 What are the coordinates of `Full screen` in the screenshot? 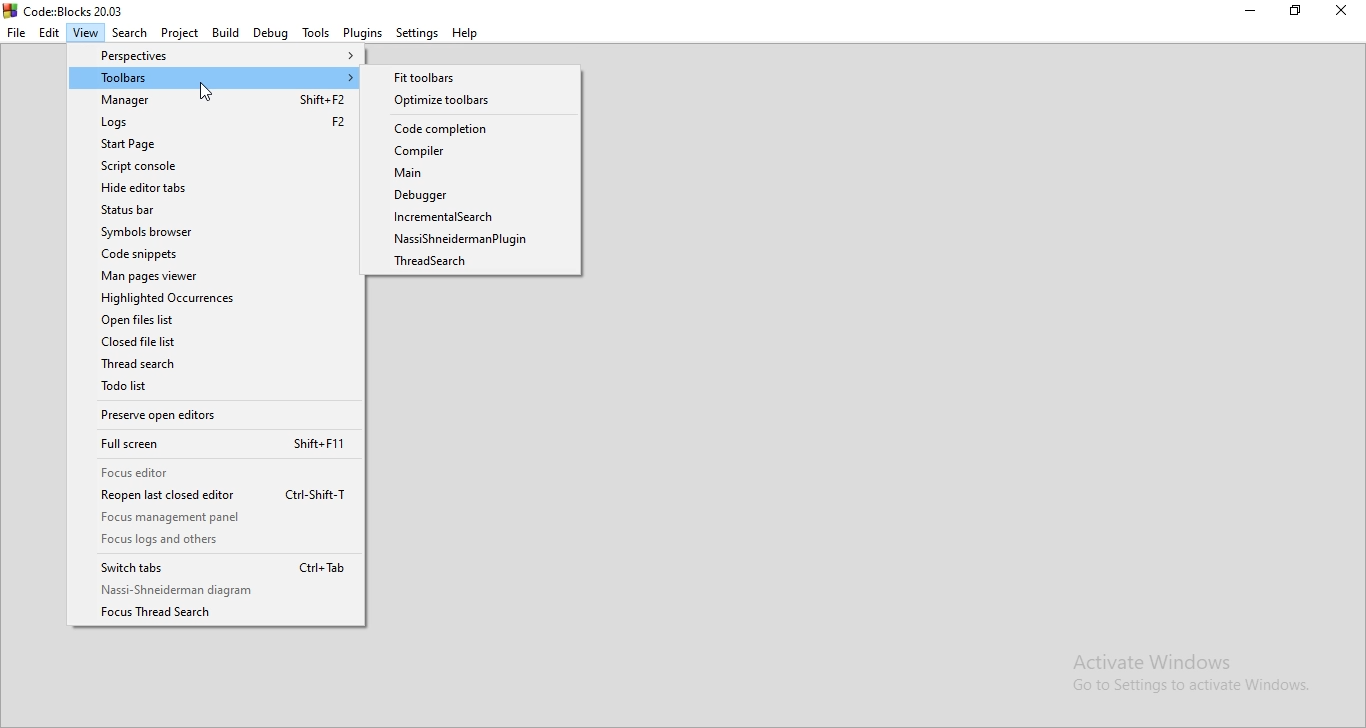 It's located at (215, 445).